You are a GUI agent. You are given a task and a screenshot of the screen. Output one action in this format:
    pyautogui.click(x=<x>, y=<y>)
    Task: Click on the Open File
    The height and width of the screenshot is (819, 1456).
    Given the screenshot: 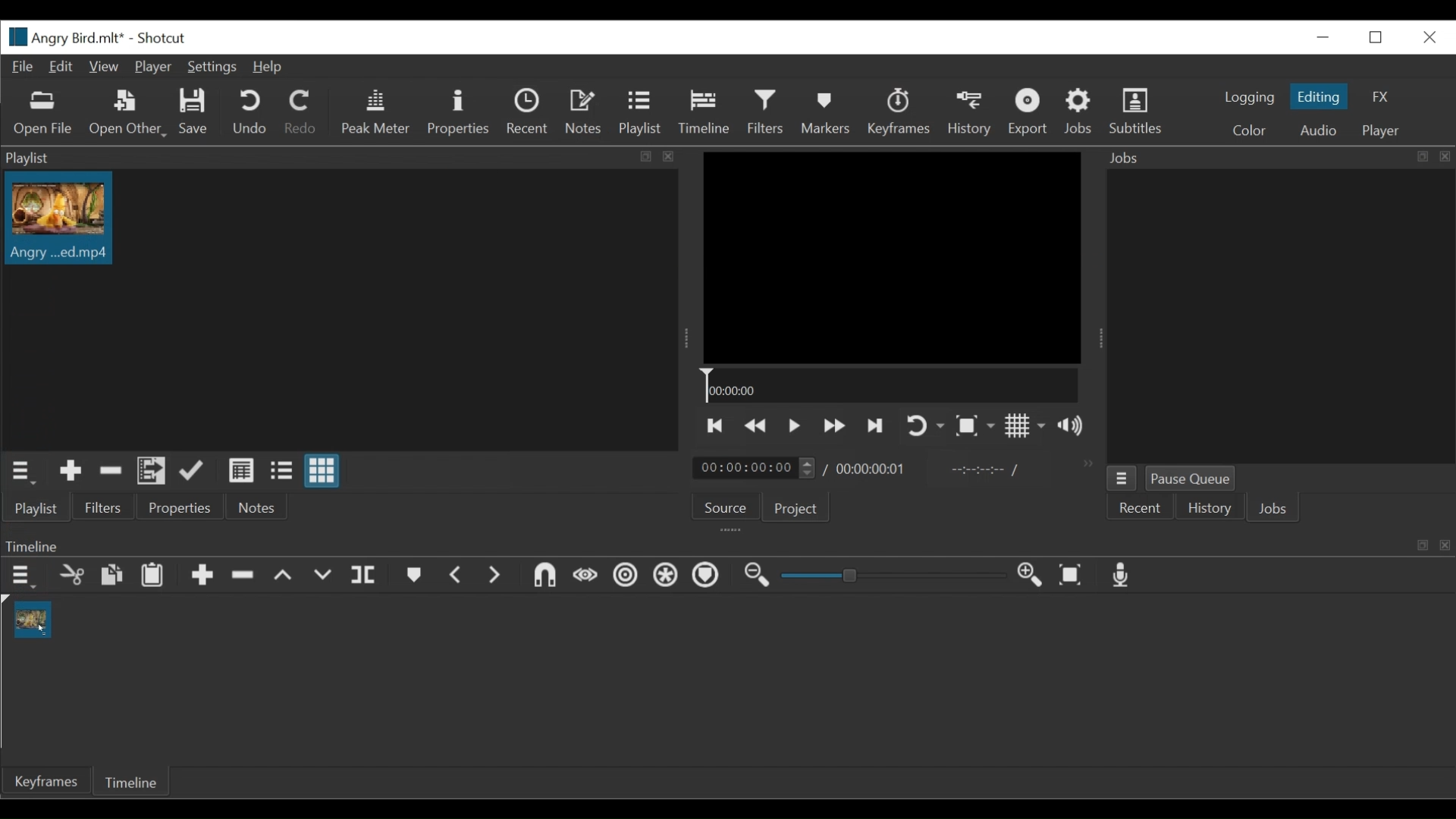 What is the action you would take?
    pyautogui.click(x=42, y=114)
    